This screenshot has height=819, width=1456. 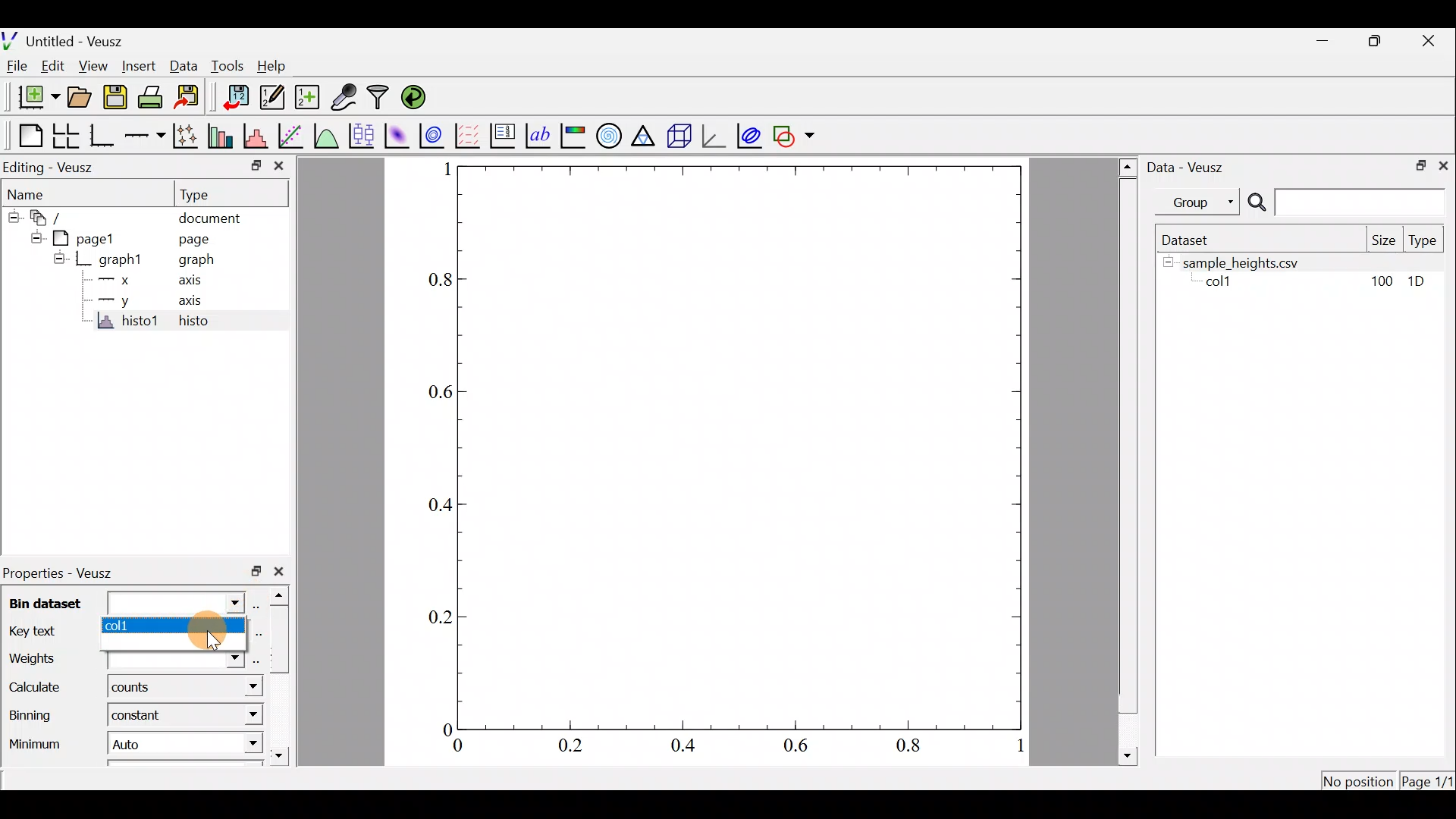 I want to click on [No position, so click(x=1360, y=780).